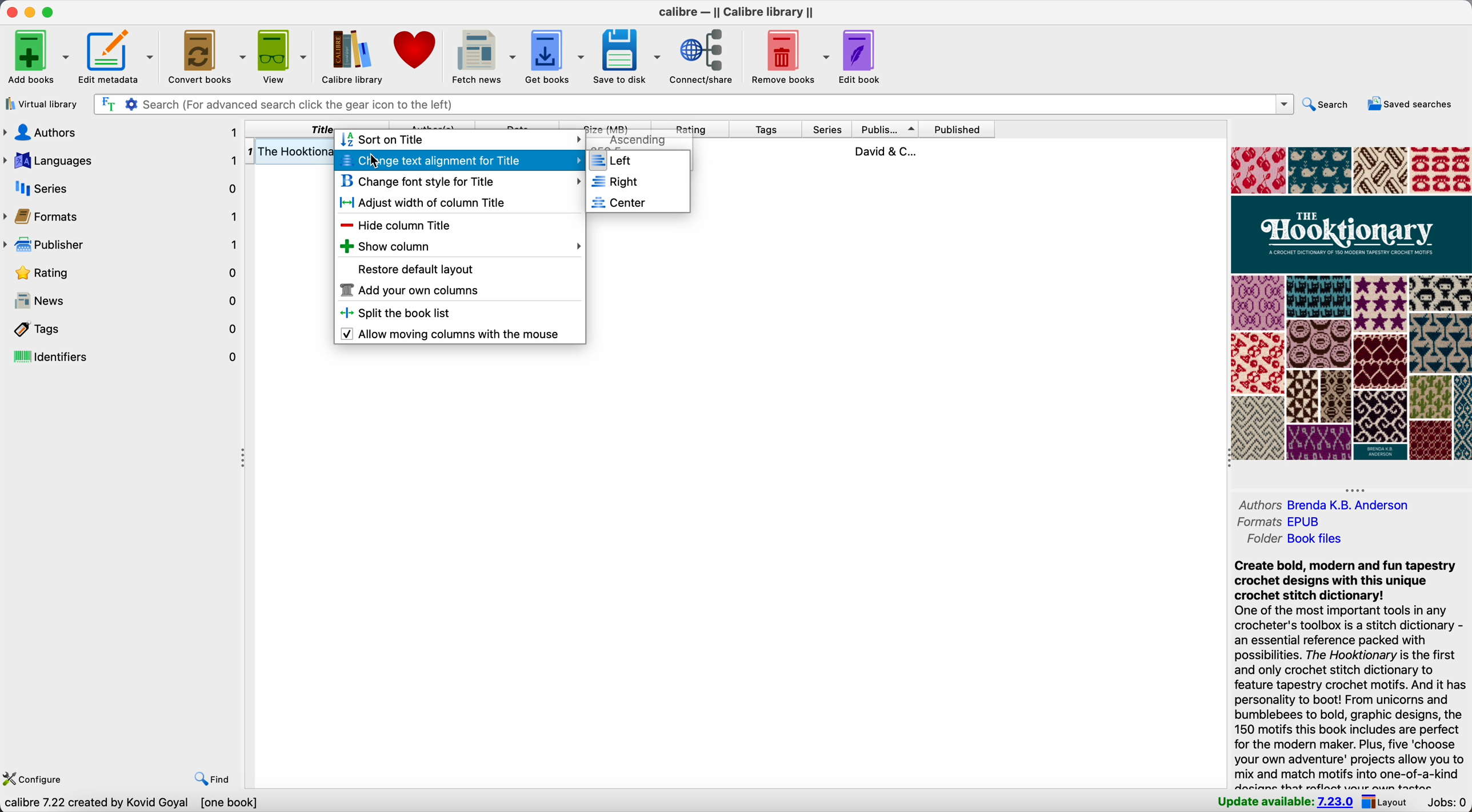 The image size is (1472, 812). Describe the element at coordinates (884, 150) in the screenshot. I see `David & C` at that location.